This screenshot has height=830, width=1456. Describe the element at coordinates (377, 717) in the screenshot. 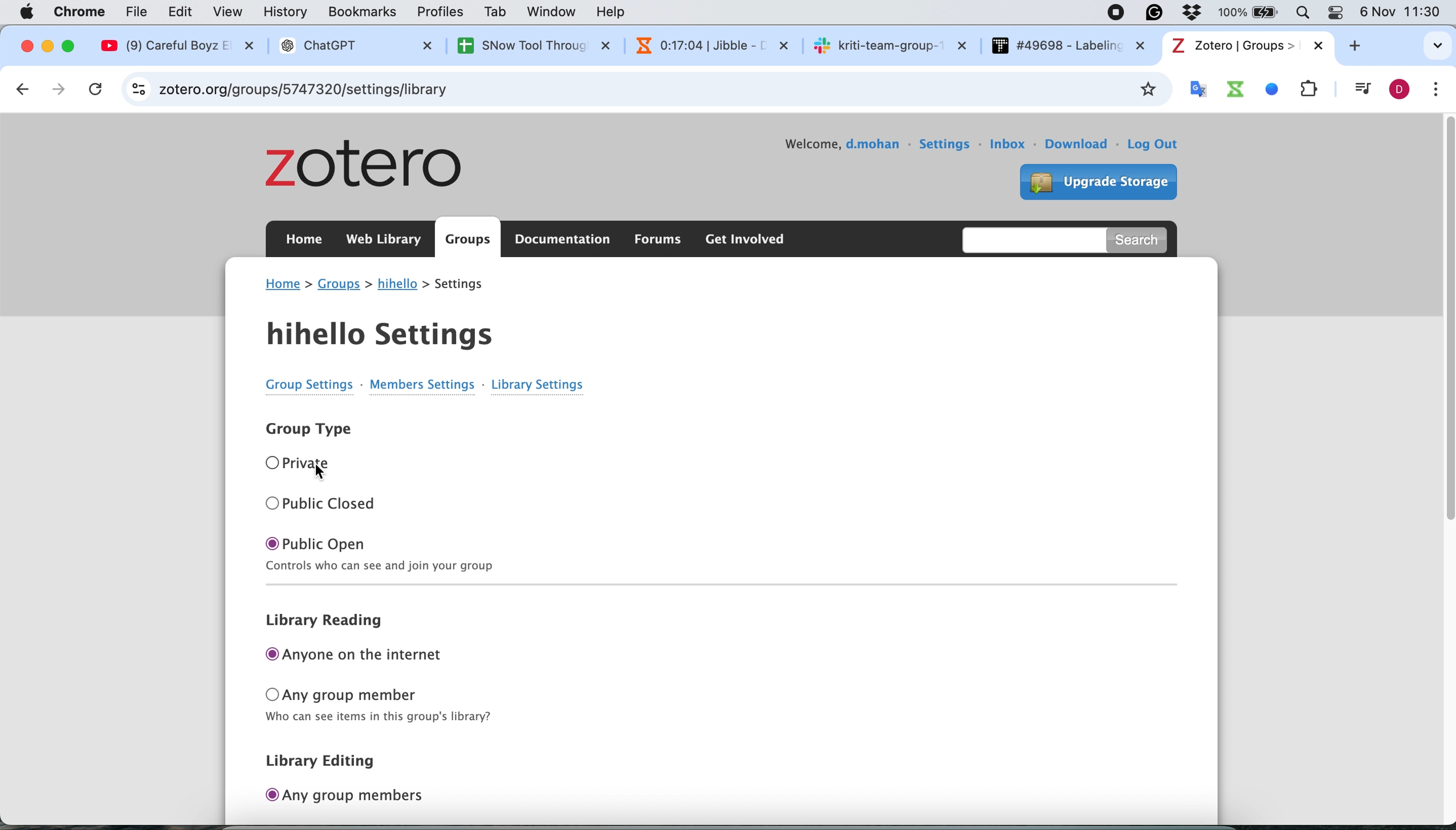

I see `Who can see items in this group's library` at that location.